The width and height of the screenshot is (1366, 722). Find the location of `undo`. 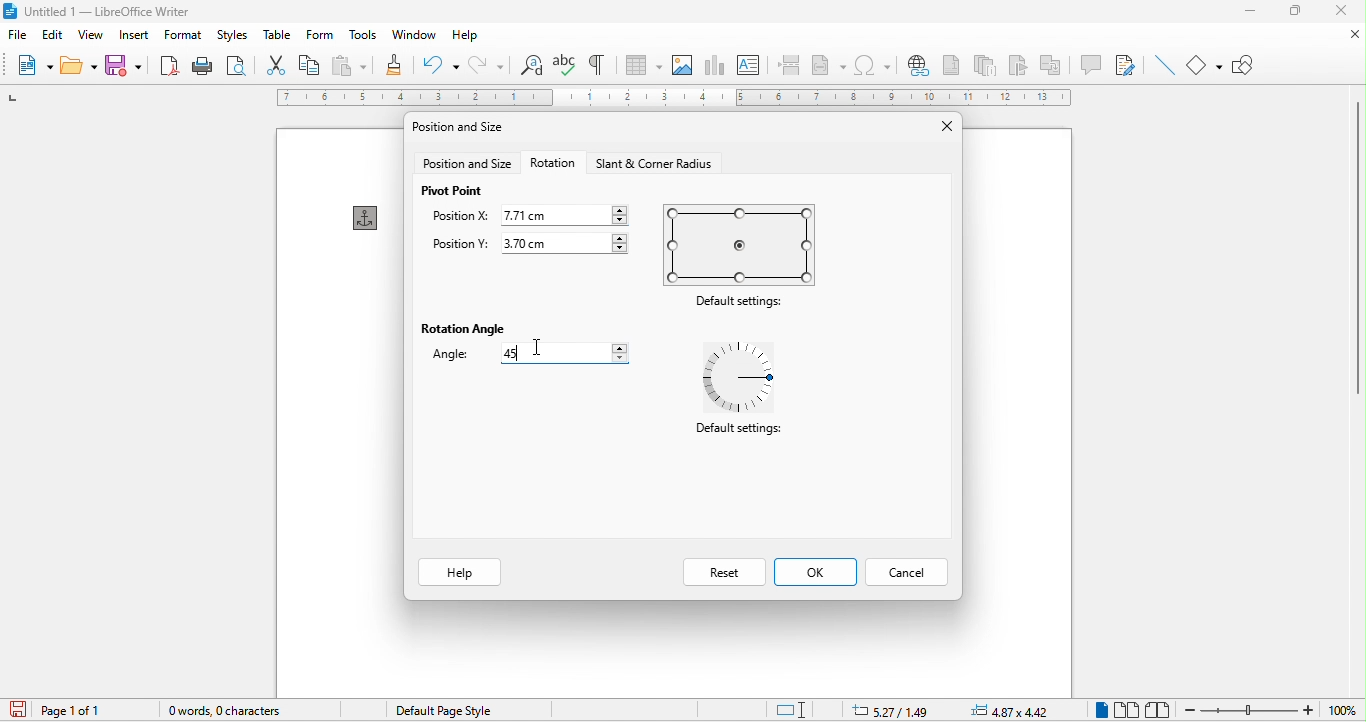

undo is located at coordinates (438, 65).